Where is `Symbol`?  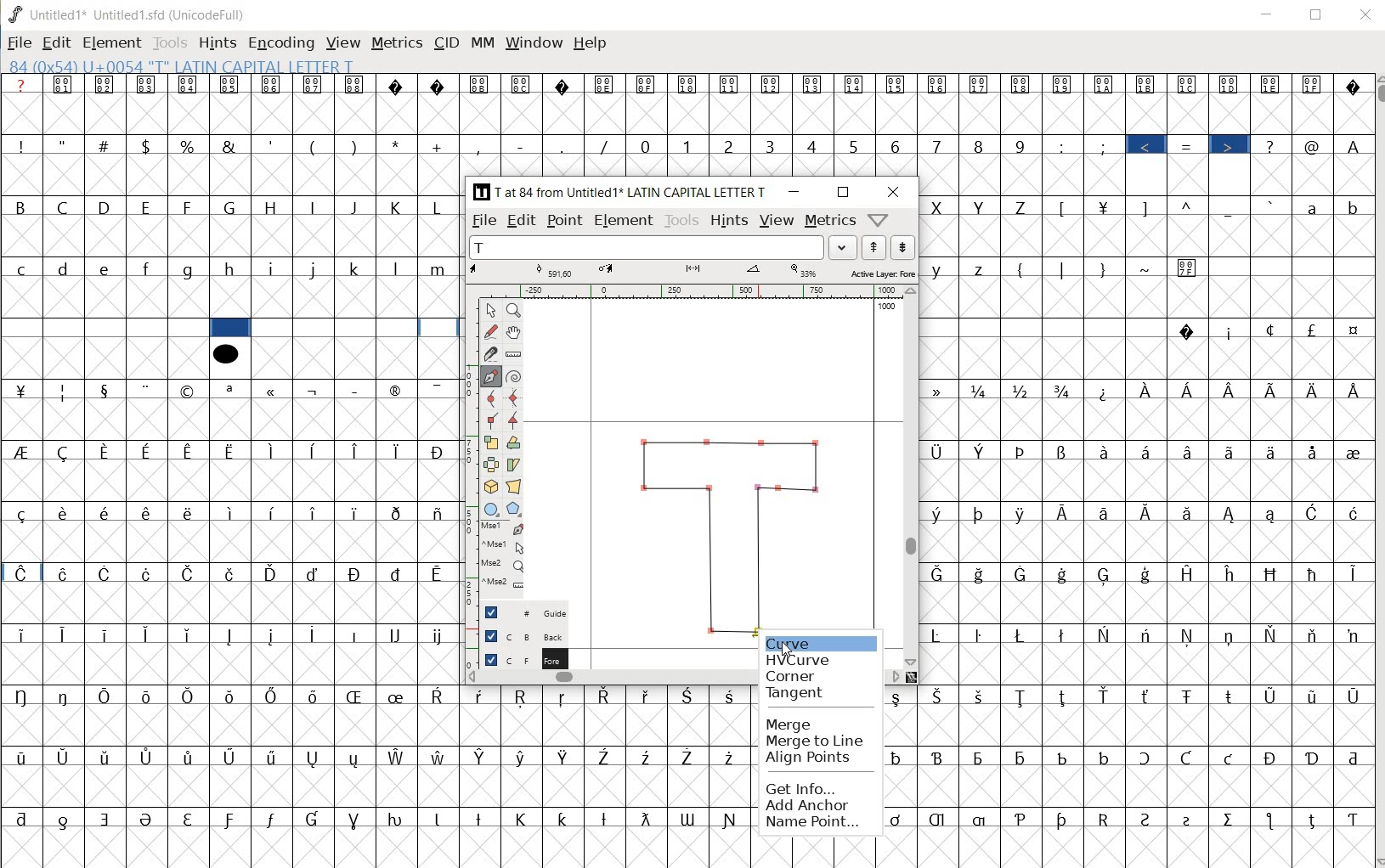 Symbol is located at coordinates (1189, 511).